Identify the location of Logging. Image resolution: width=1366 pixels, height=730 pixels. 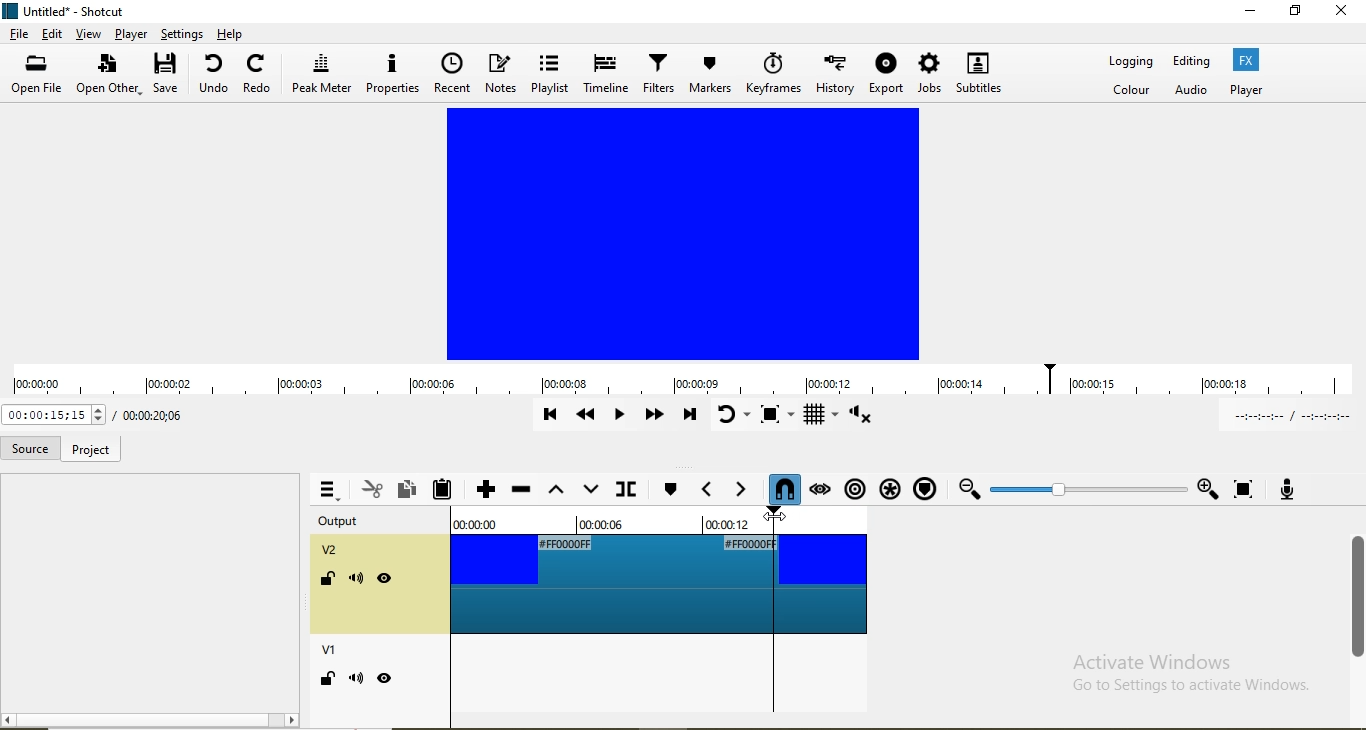
(1131, 64).